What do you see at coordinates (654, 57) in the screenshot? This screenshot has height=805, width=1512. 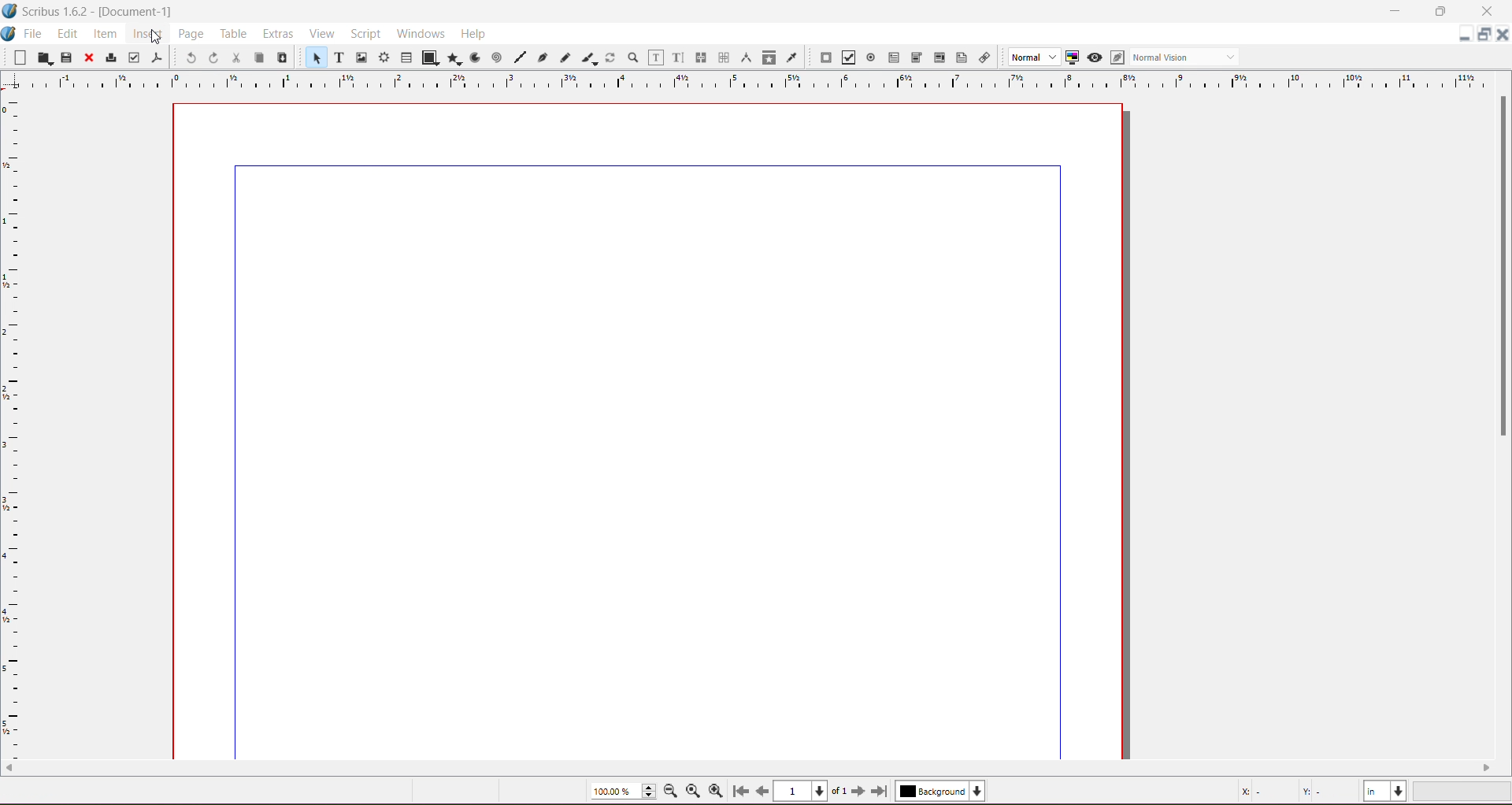 I see `Edit Contents of Frames` at bounding box center [654, 57].